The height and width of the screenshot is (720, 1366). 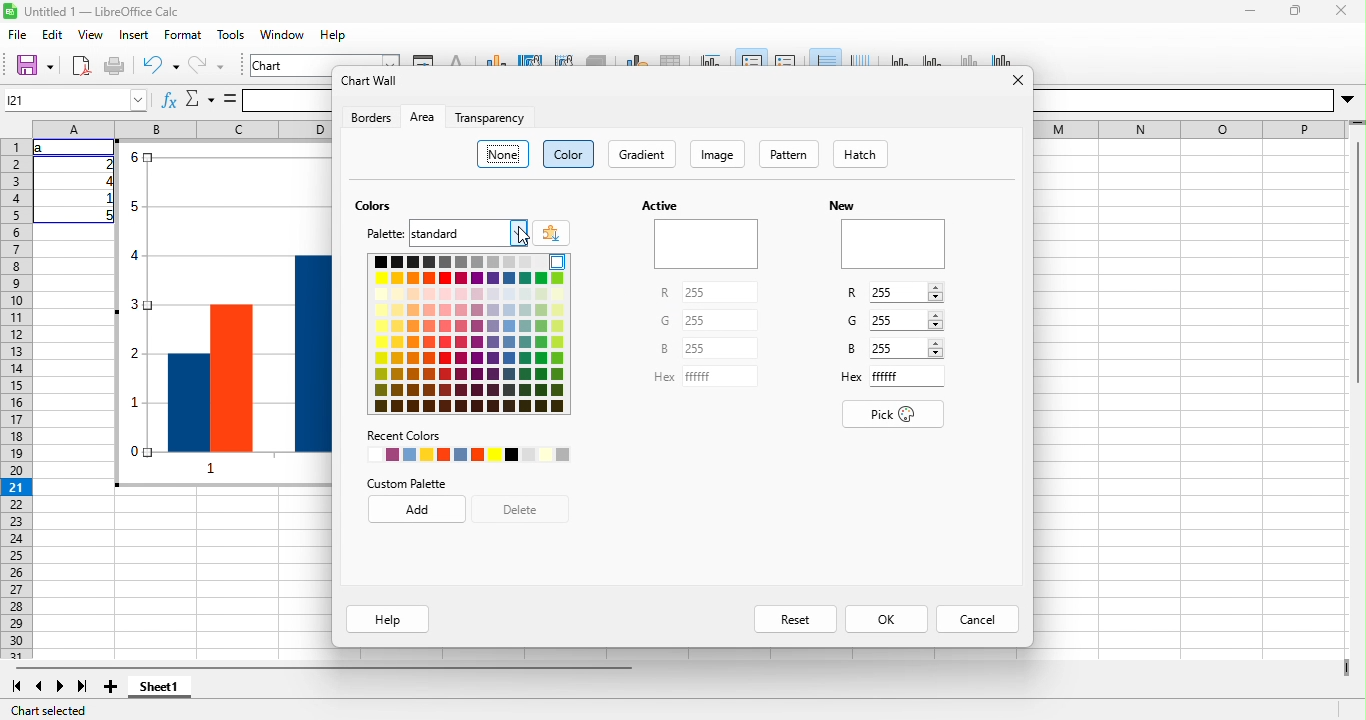 What do you see at coordinates (502, 154) in the screenshot?
I see `none` at bounding box center [502, 154].